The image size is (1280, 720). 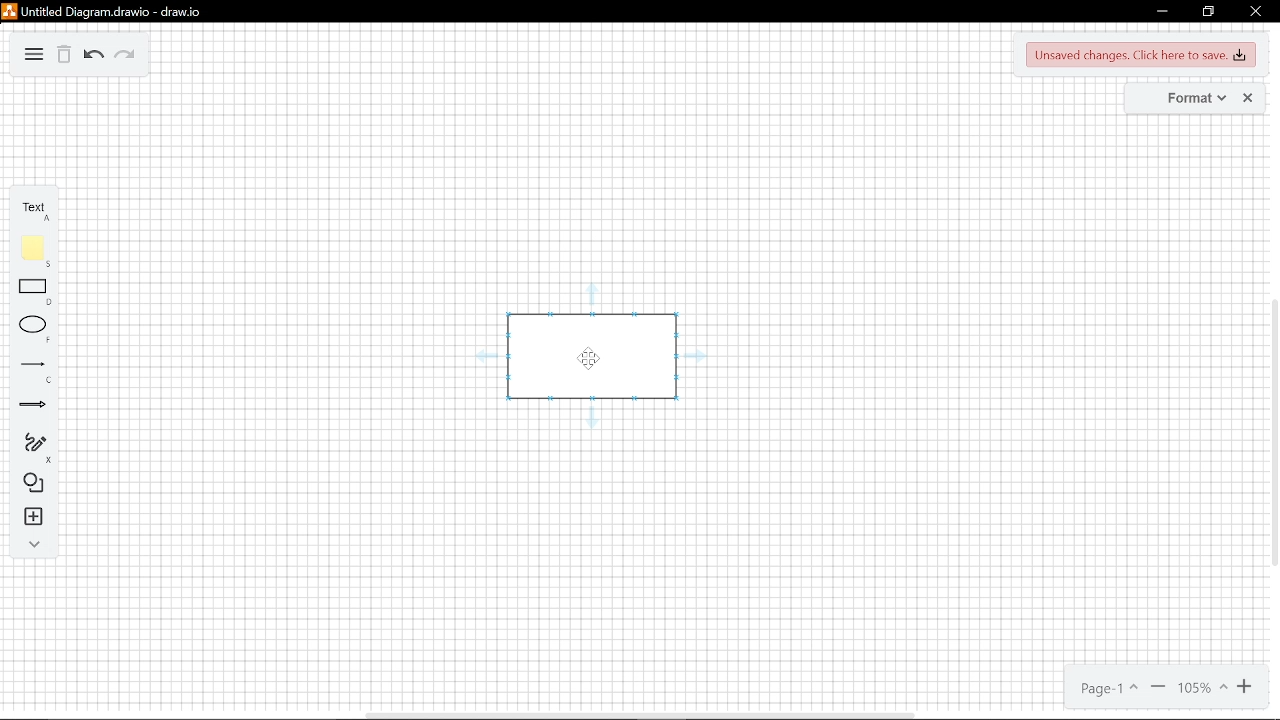 I want to click on zoom out, so click(x=1158, y=685).